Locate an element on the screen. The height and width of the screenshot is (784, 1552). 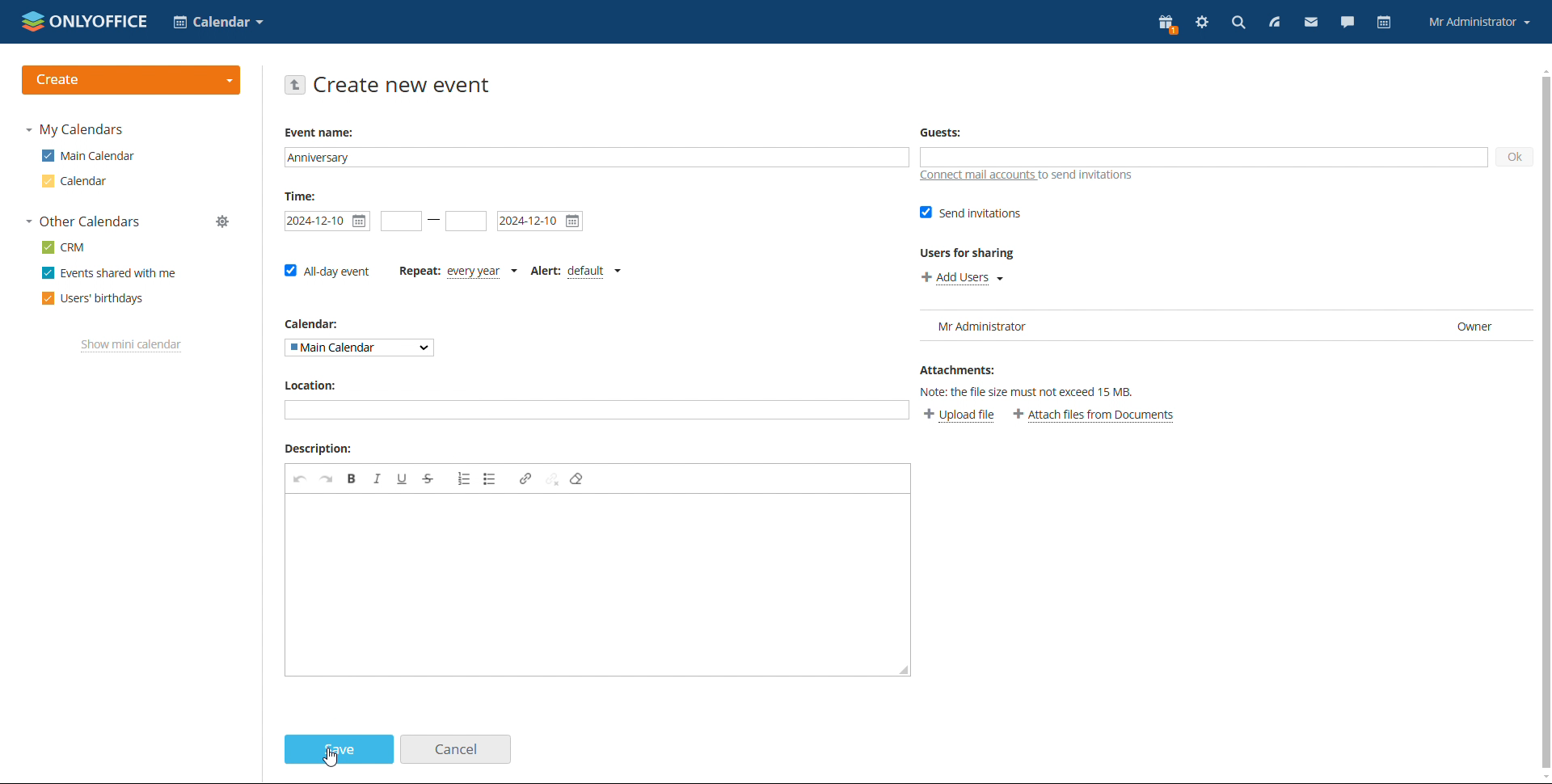
go back is located at coordinates (296, 85).